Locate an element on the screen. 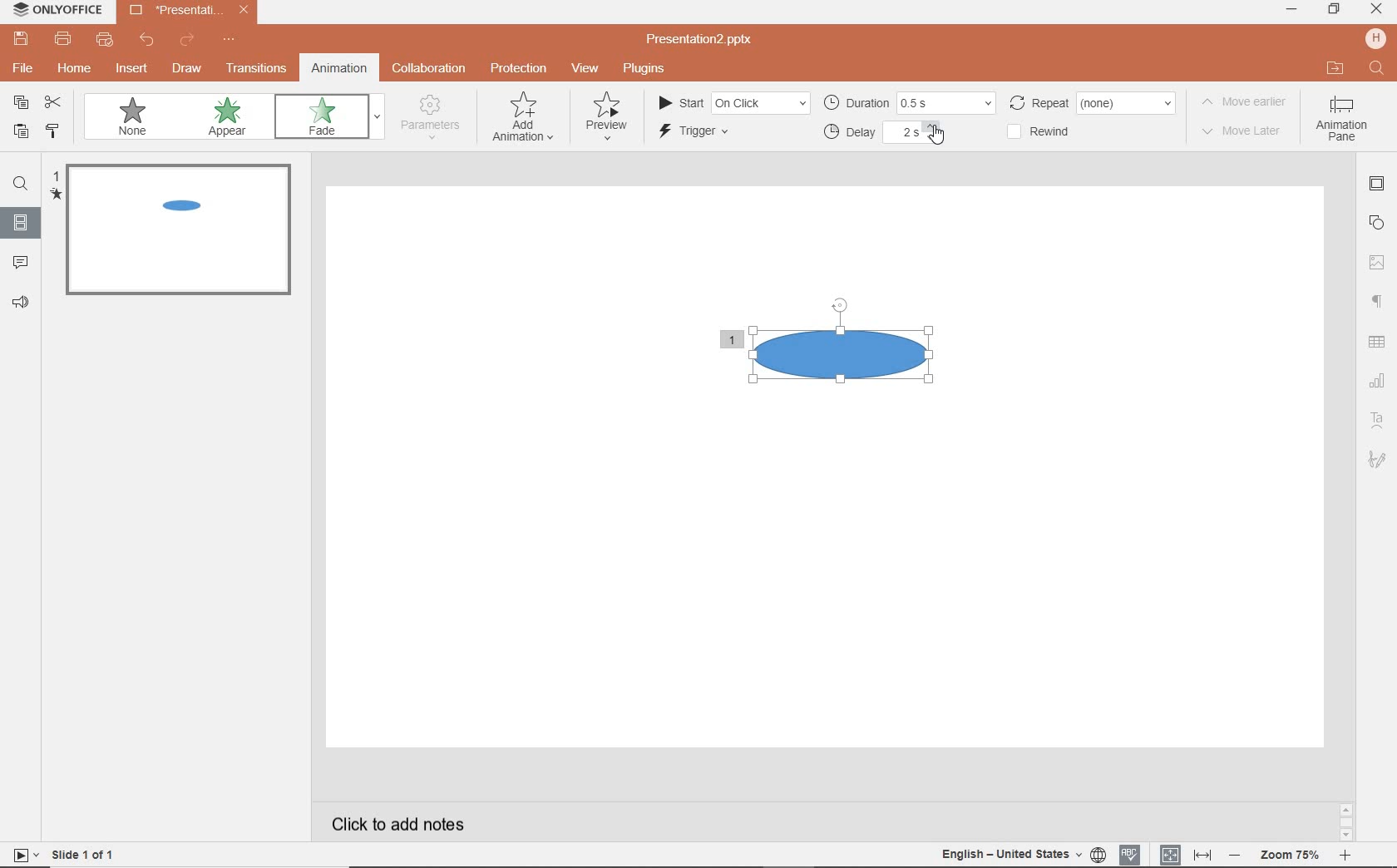  copy is located at coordinates (22, 101).